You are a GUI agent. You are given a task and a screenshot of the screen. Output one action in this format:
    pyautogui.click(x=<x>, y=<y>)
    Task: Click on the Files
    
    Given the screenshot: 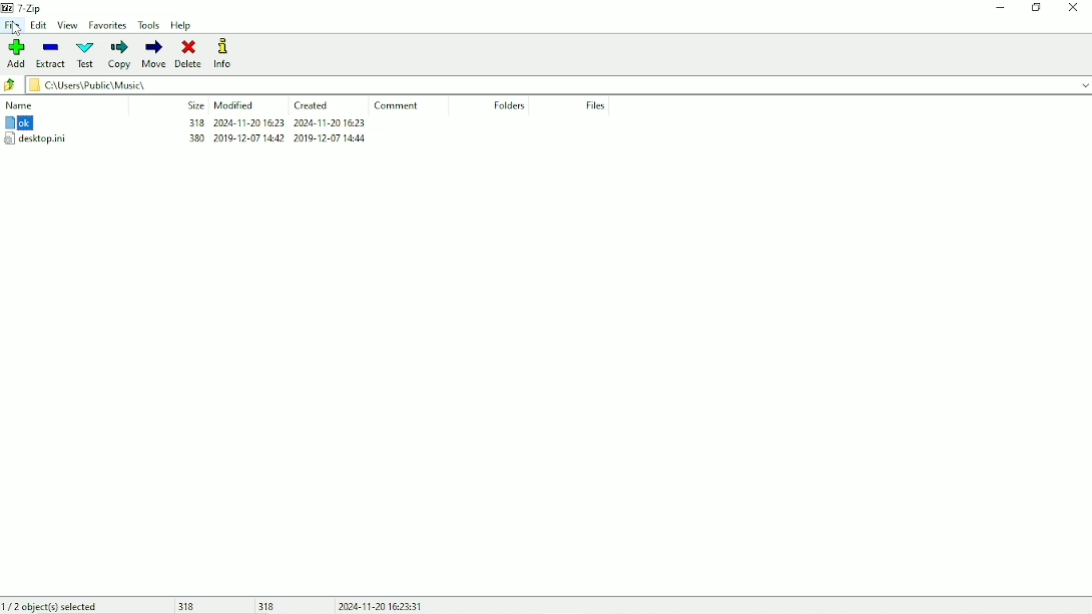 What is the action you would take?
    pyautogui.click(x=596, y=106)
    